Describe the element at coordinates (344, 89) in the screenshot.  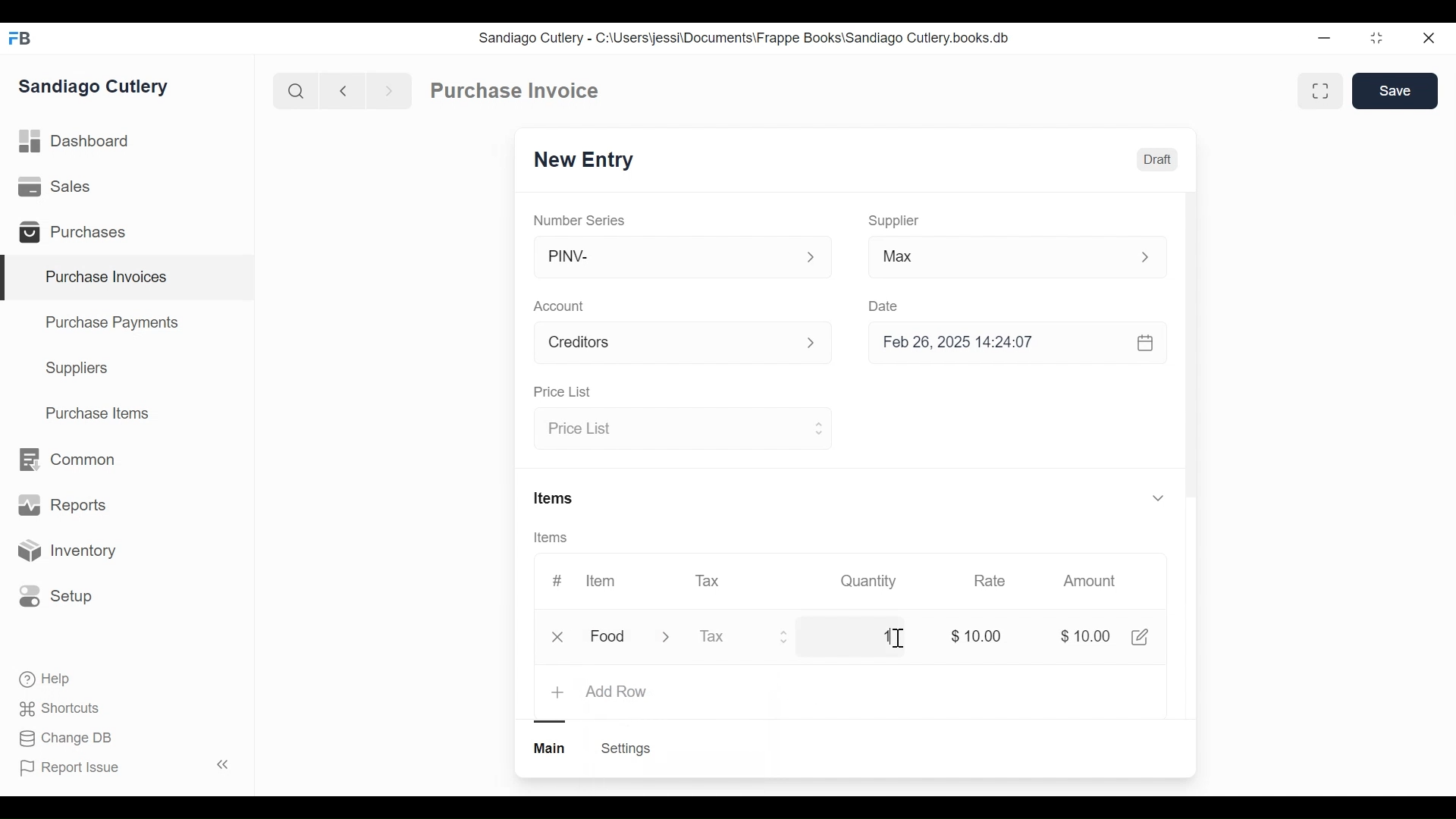
I see `Naviagate back` at that location.